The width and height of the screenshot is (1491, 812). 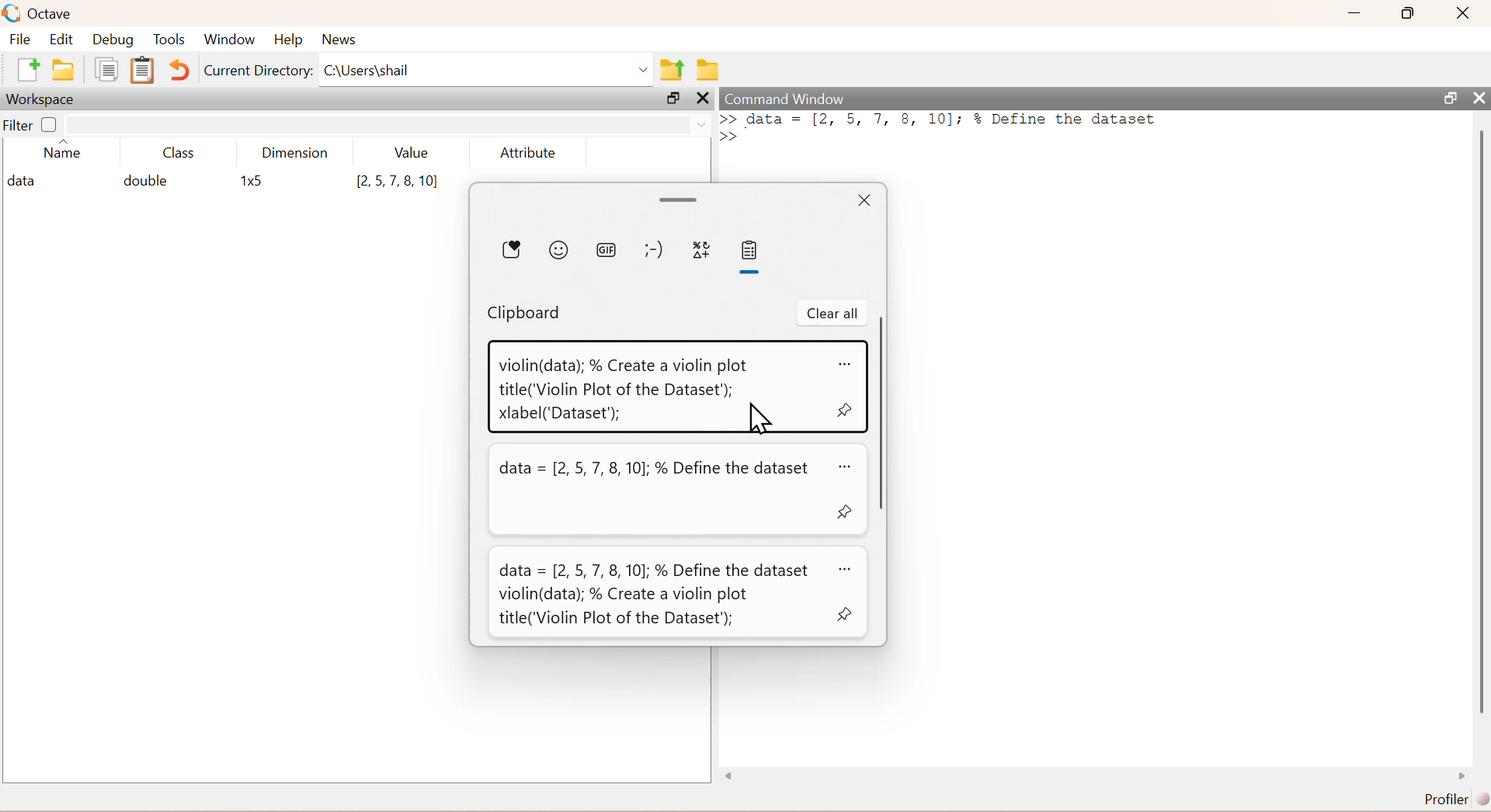 What do you see at coordinates (64, 70) in the screenshot?
I see `folder` at bounding box center [64, 70].